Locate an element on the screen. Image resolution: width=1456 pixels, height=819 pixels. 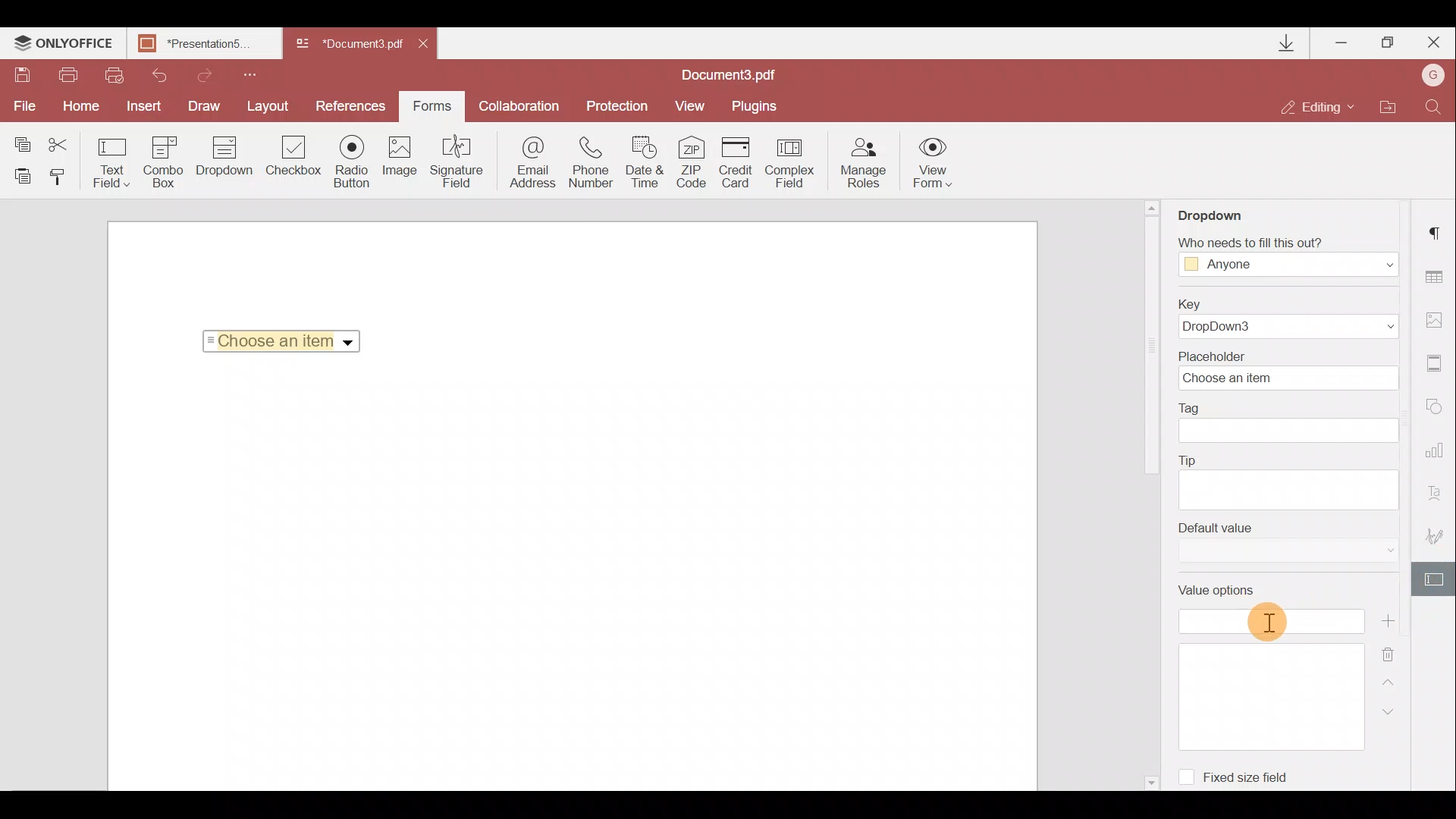
Copy is located at coordinates (18, 139).